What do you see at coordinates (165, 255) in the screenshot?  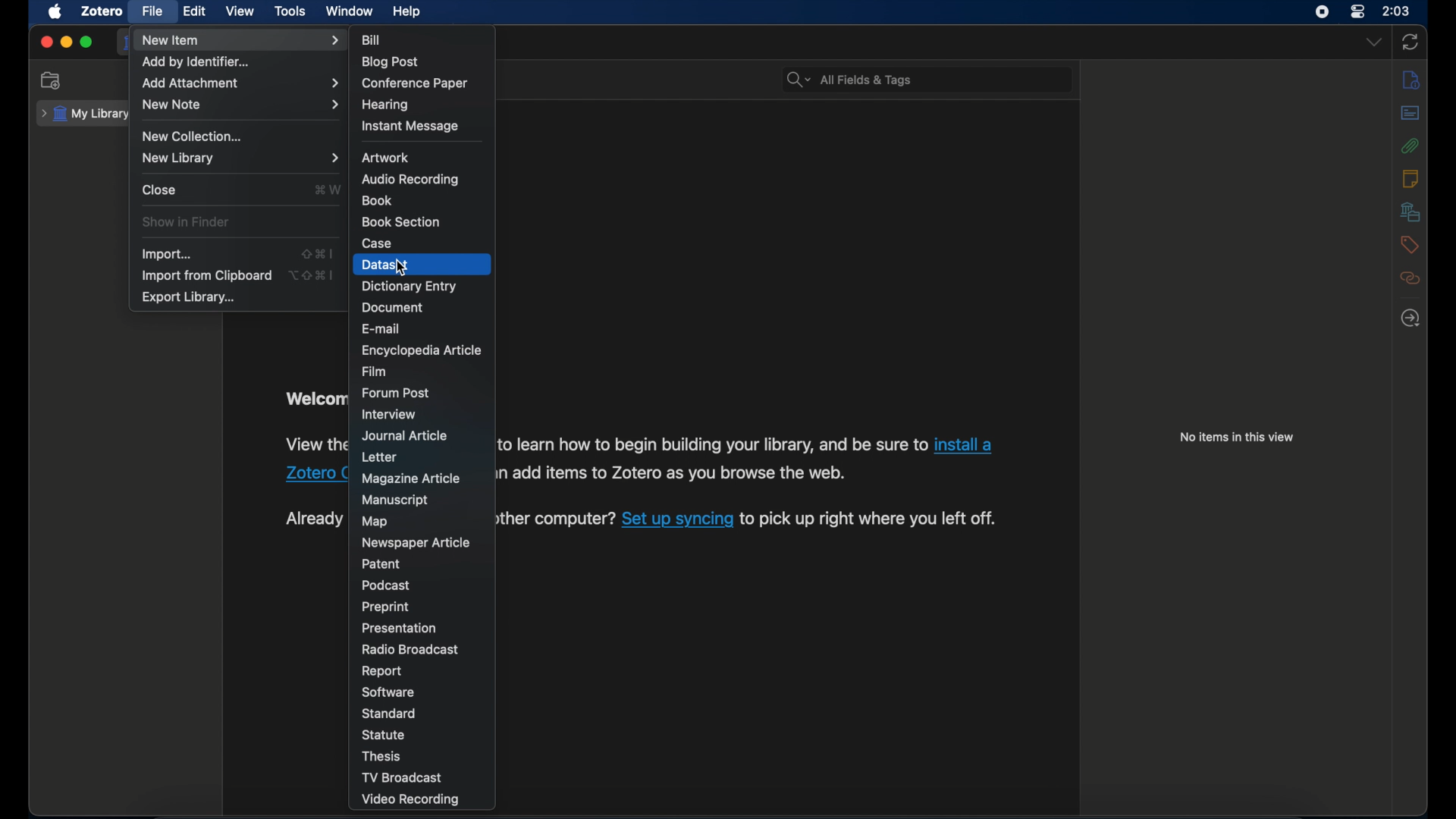 I see `import` at bounding box center [165, 255].